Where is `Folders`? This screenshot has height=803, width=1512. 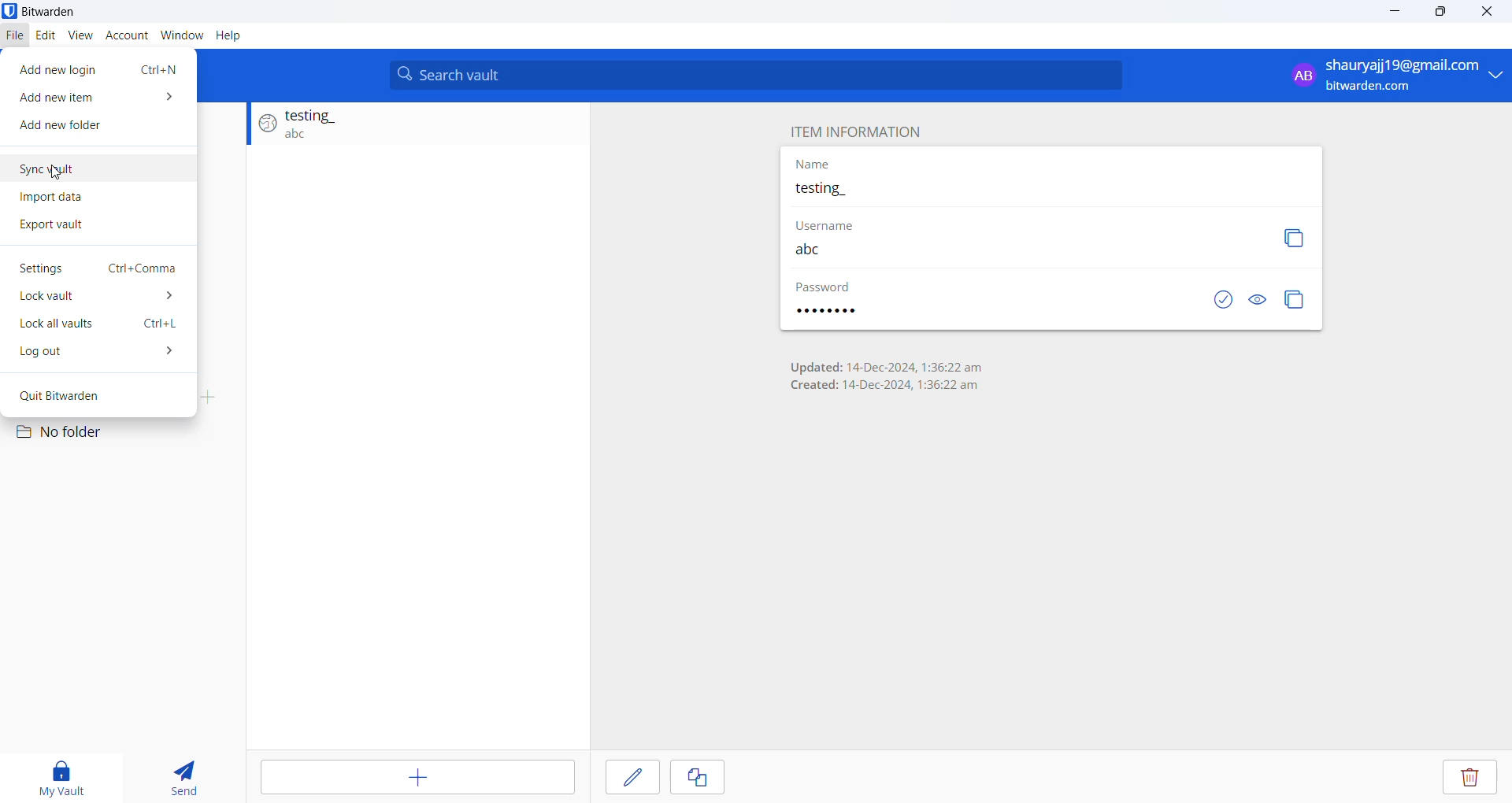 Folders is located at coordinates (84, 398).